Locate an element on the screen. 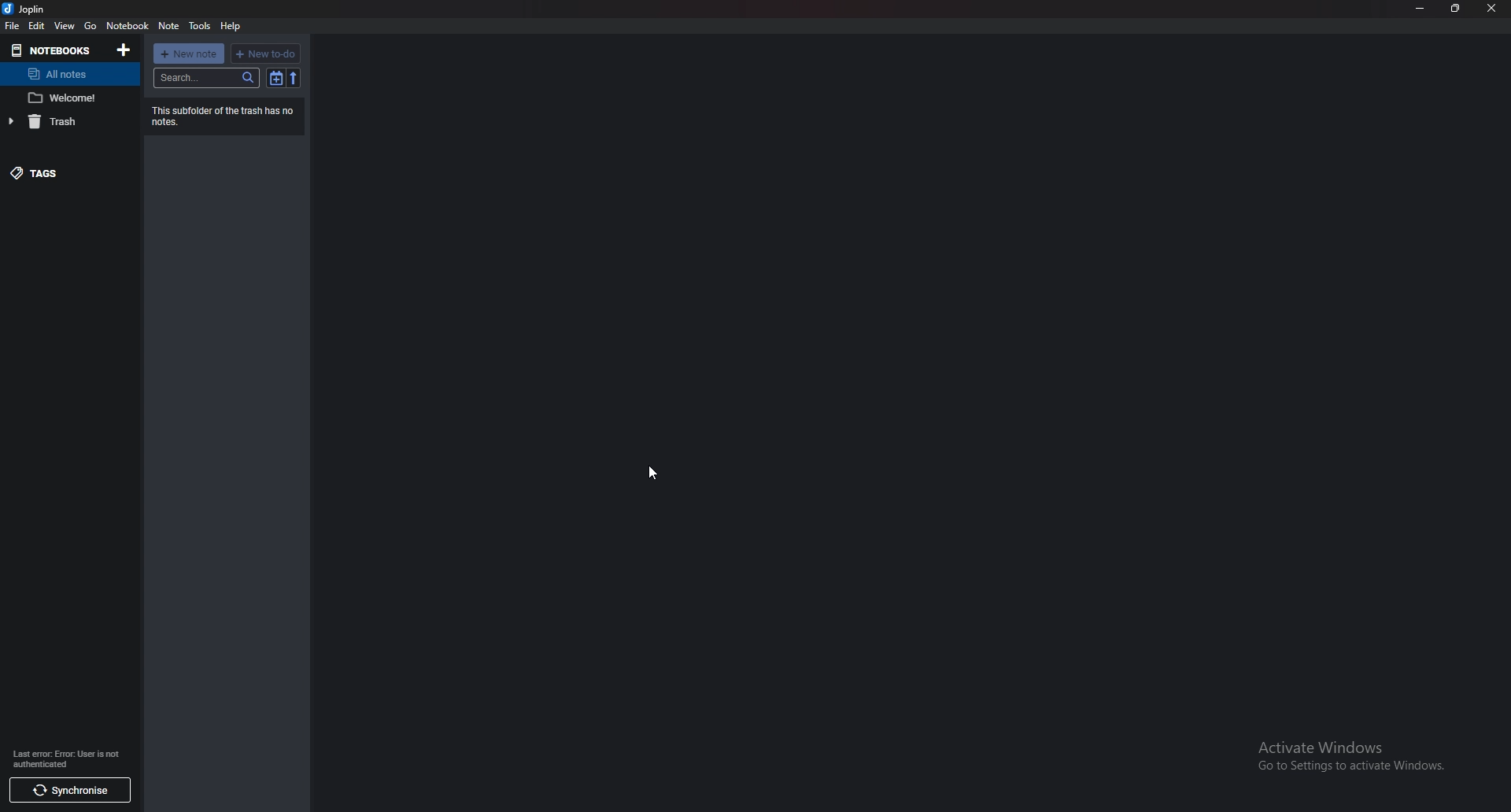  synchronise is located at coordinates (67, 791).